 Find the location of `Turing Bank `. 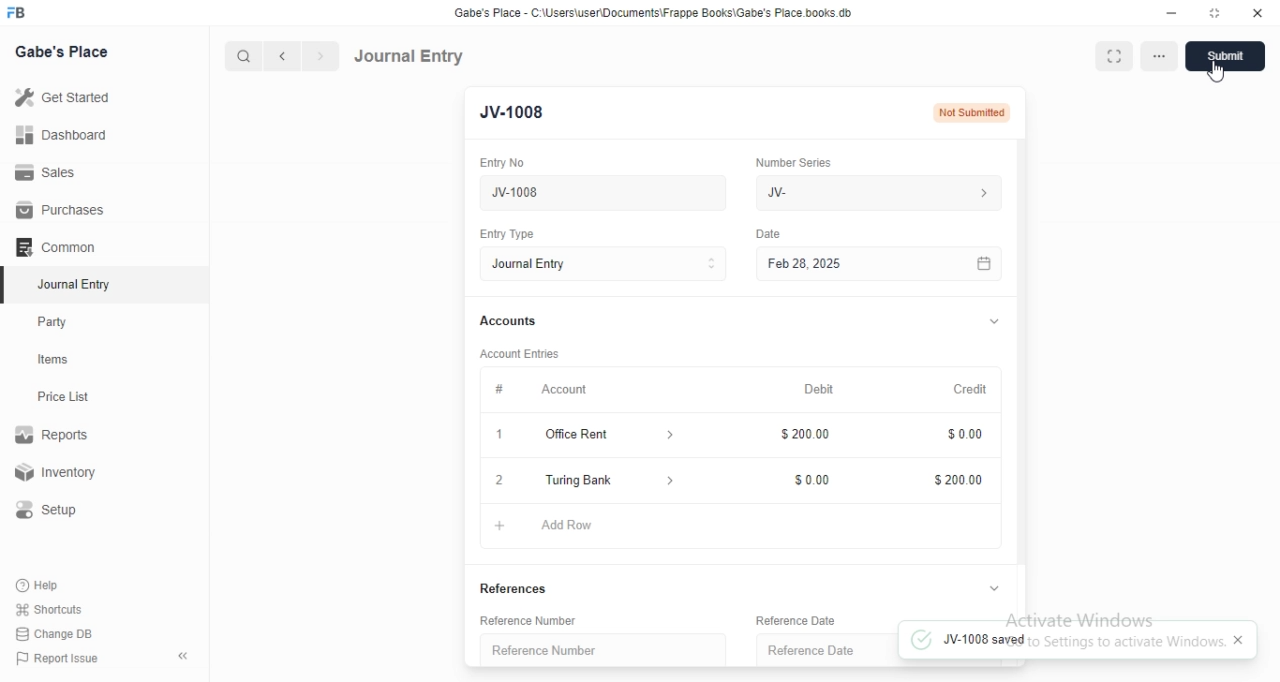

Turing Bank  is located at coordinates (611, 483).